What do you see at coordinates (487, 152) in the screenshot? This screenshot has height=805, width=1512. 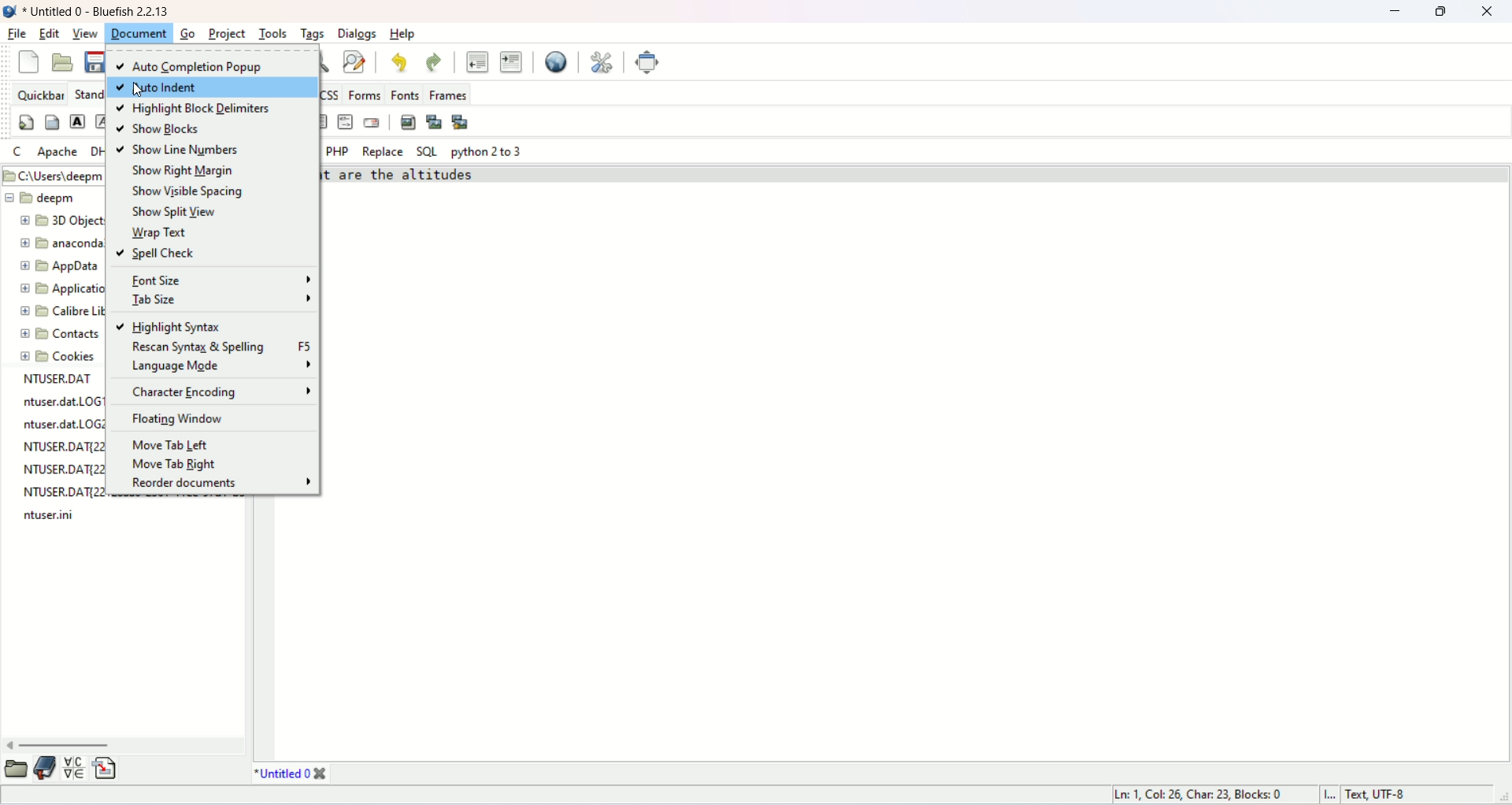 I see `python 2 to 3` at bounding box center [487, 152].